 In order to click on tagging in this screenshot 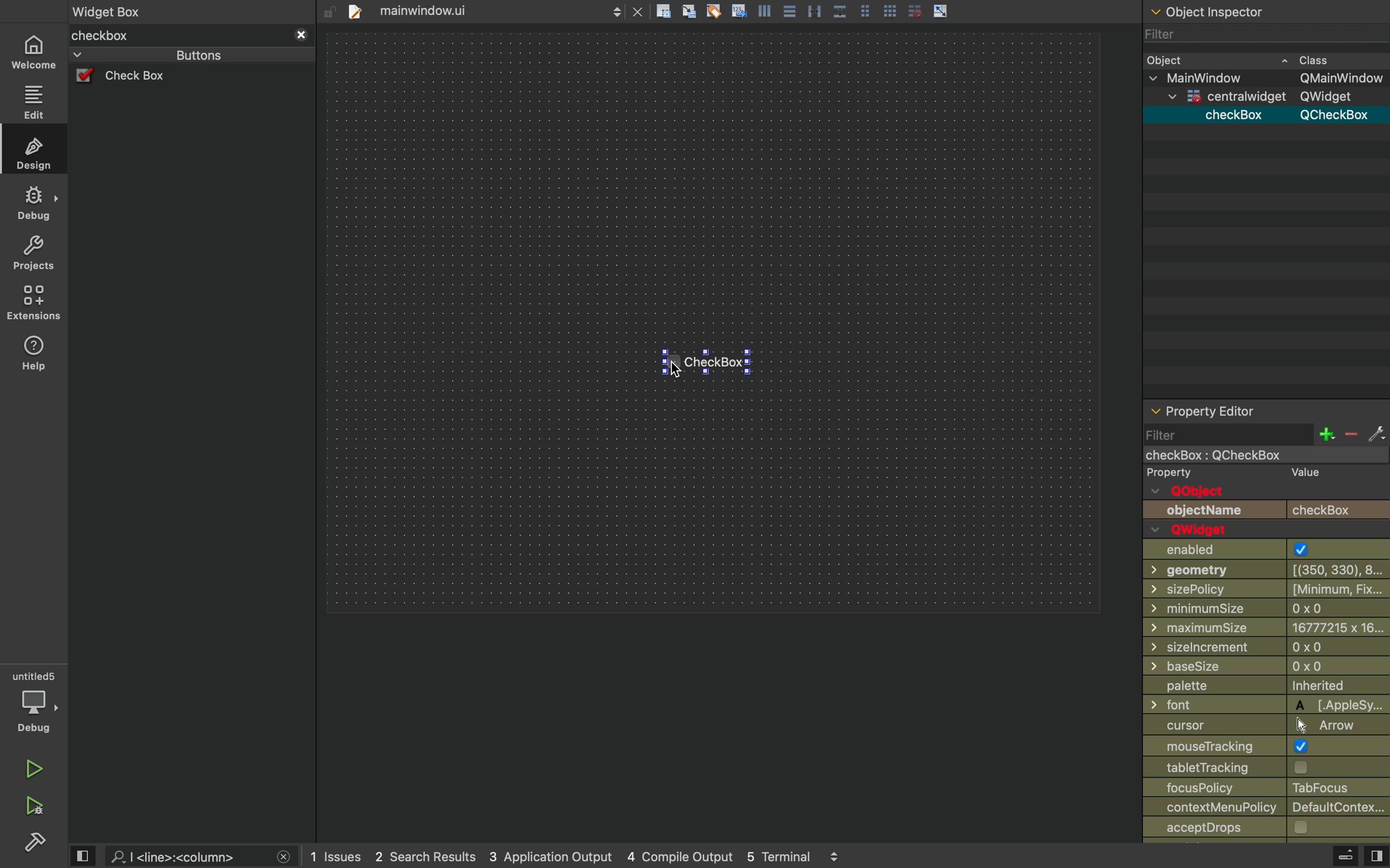, I will do `click(713, 10)`.